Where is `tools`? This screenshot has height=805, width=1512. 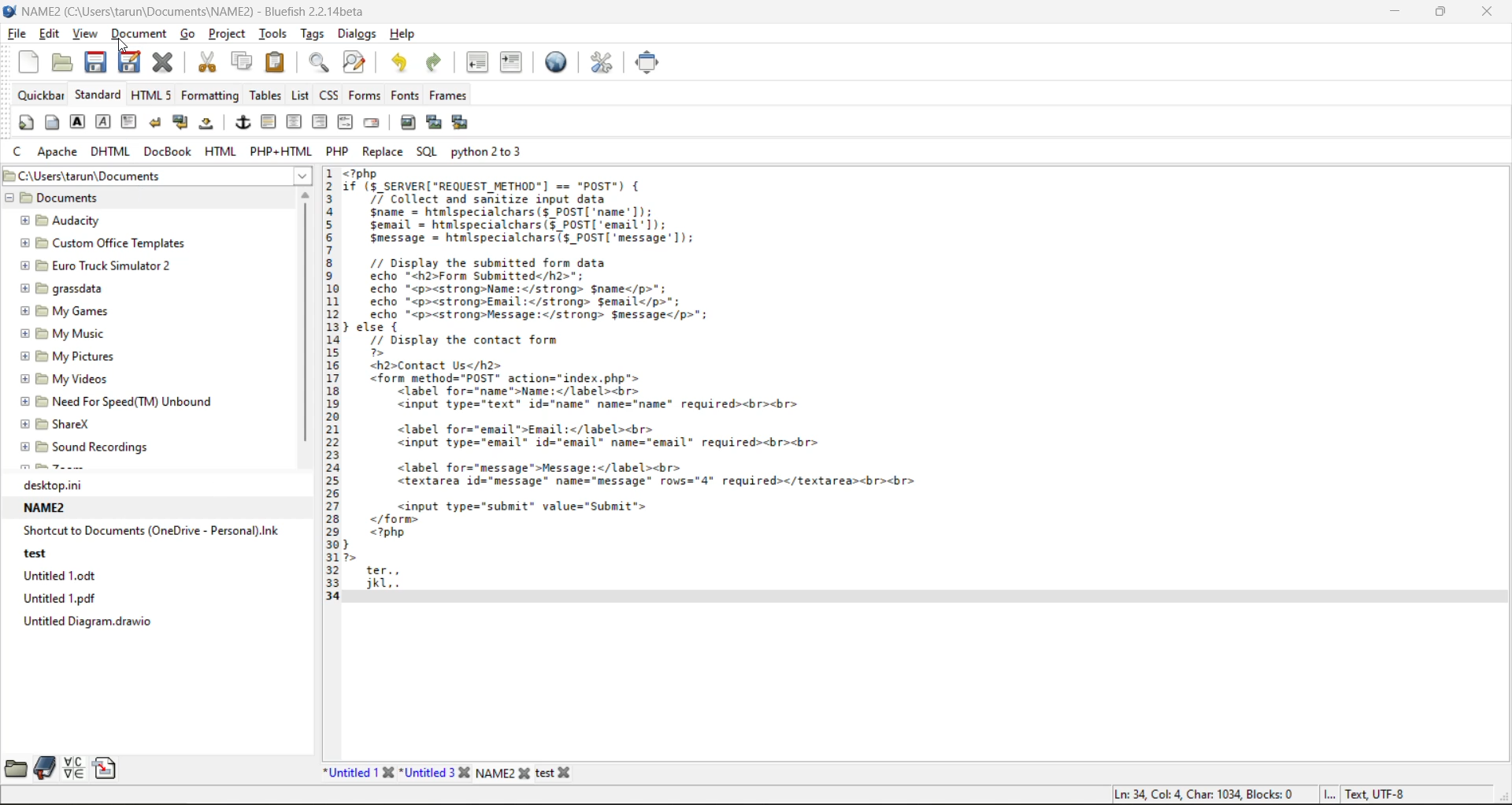 tools is located at coordinates (277, 33).